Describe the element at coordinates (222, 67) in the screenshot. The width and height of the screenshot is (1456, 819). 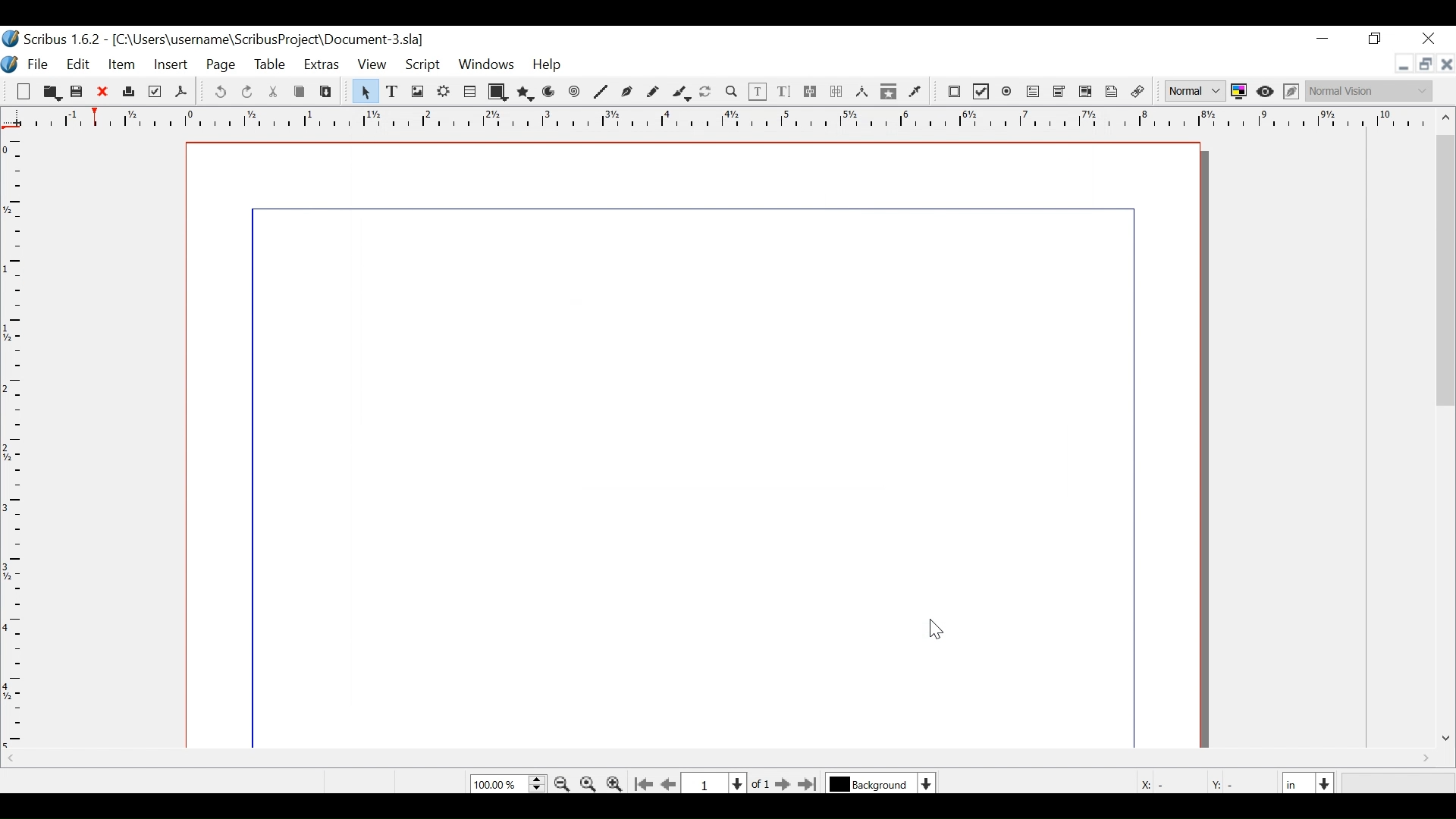
I see `Page` at that location.